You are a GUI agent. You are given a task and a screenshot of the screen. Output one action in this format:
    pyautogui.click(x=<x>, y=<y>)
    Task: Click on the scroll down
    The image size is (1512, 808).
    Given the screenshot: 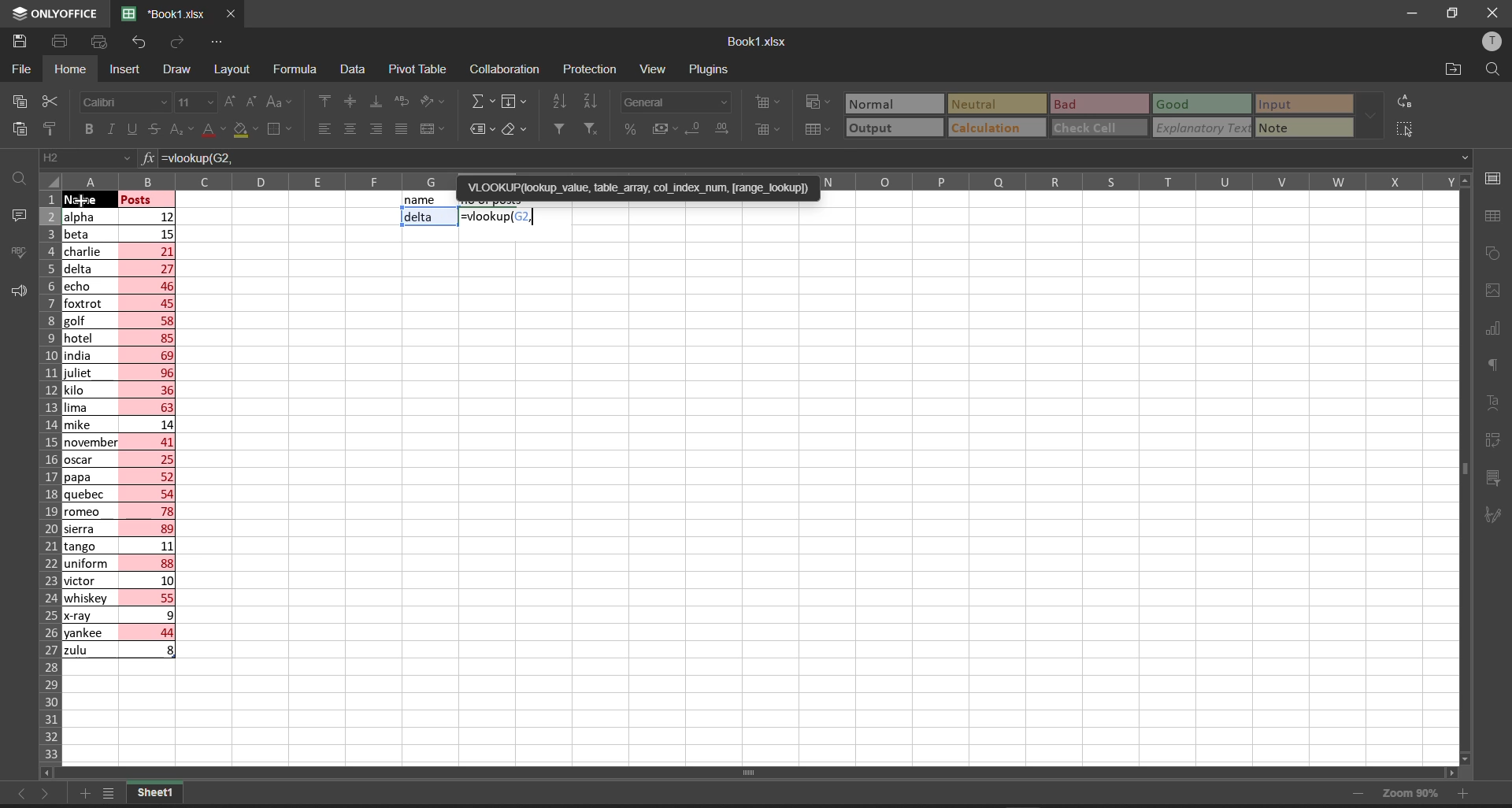 What is the action you would take?
    pyautogui.click(x=1468, y=758)
    